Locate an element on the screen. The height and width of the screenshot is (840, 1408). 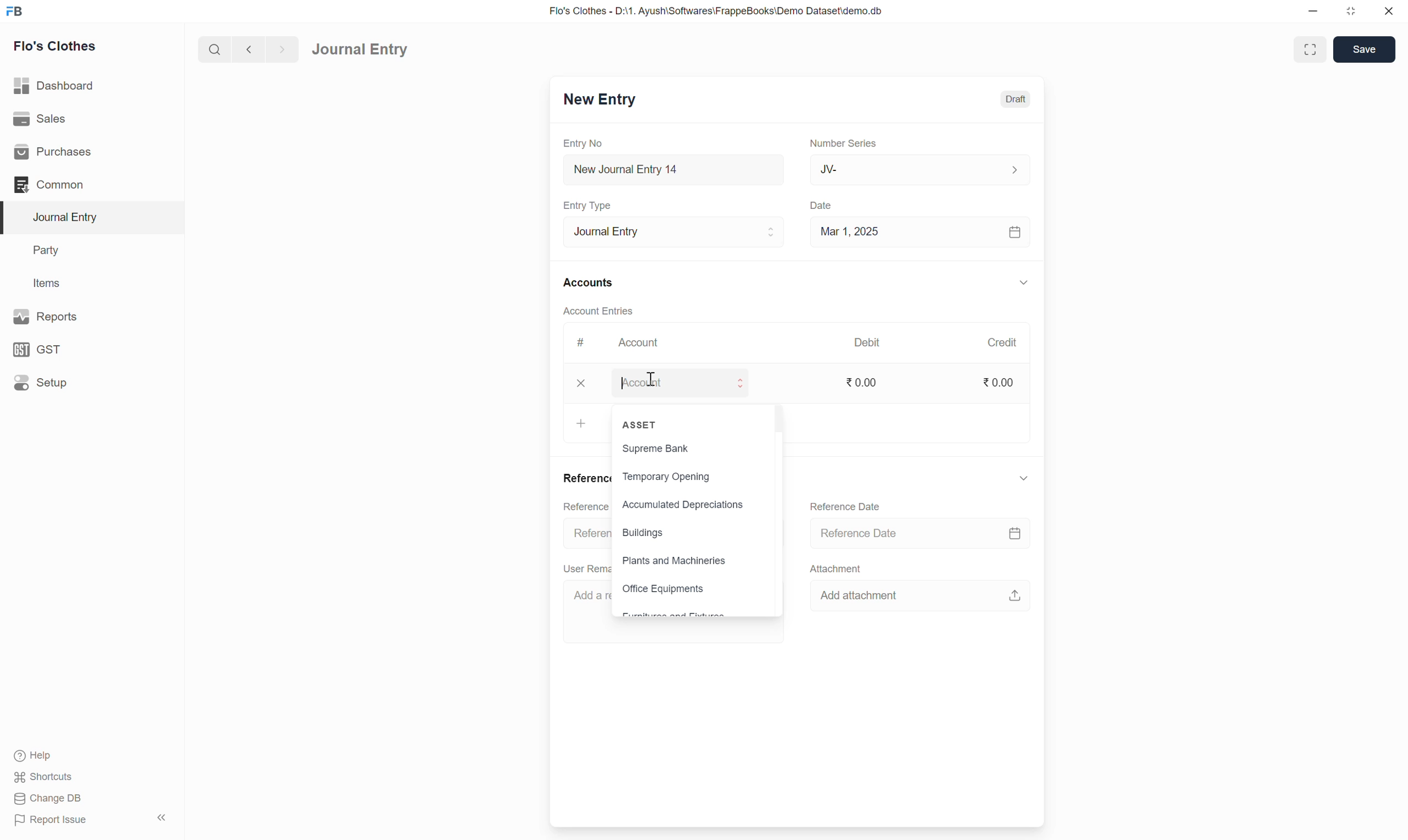
back is located at coordinates (246, 49).